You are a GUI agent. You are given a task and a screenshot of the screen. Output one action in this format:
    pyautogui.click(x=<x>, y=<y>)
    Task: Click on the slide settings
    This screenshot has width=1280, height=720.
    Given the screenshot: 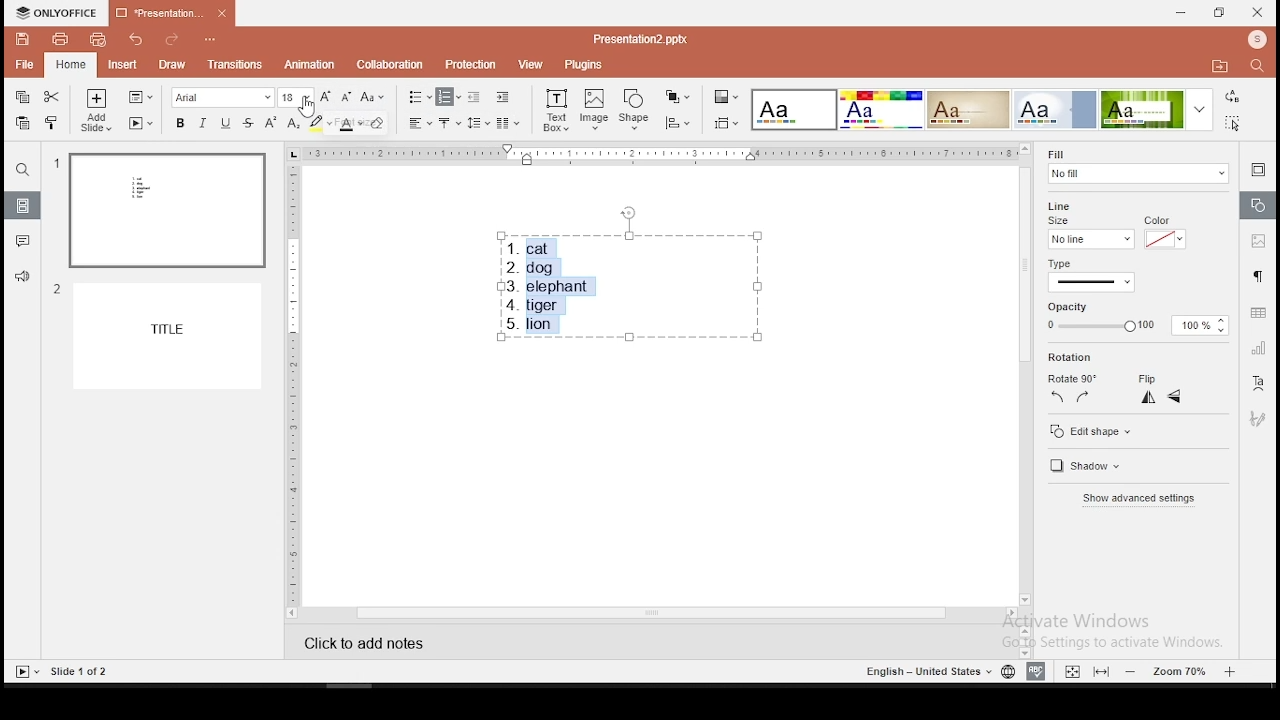 What is the action you would take?
    pyautogui.click(x=1257, y=170)
    